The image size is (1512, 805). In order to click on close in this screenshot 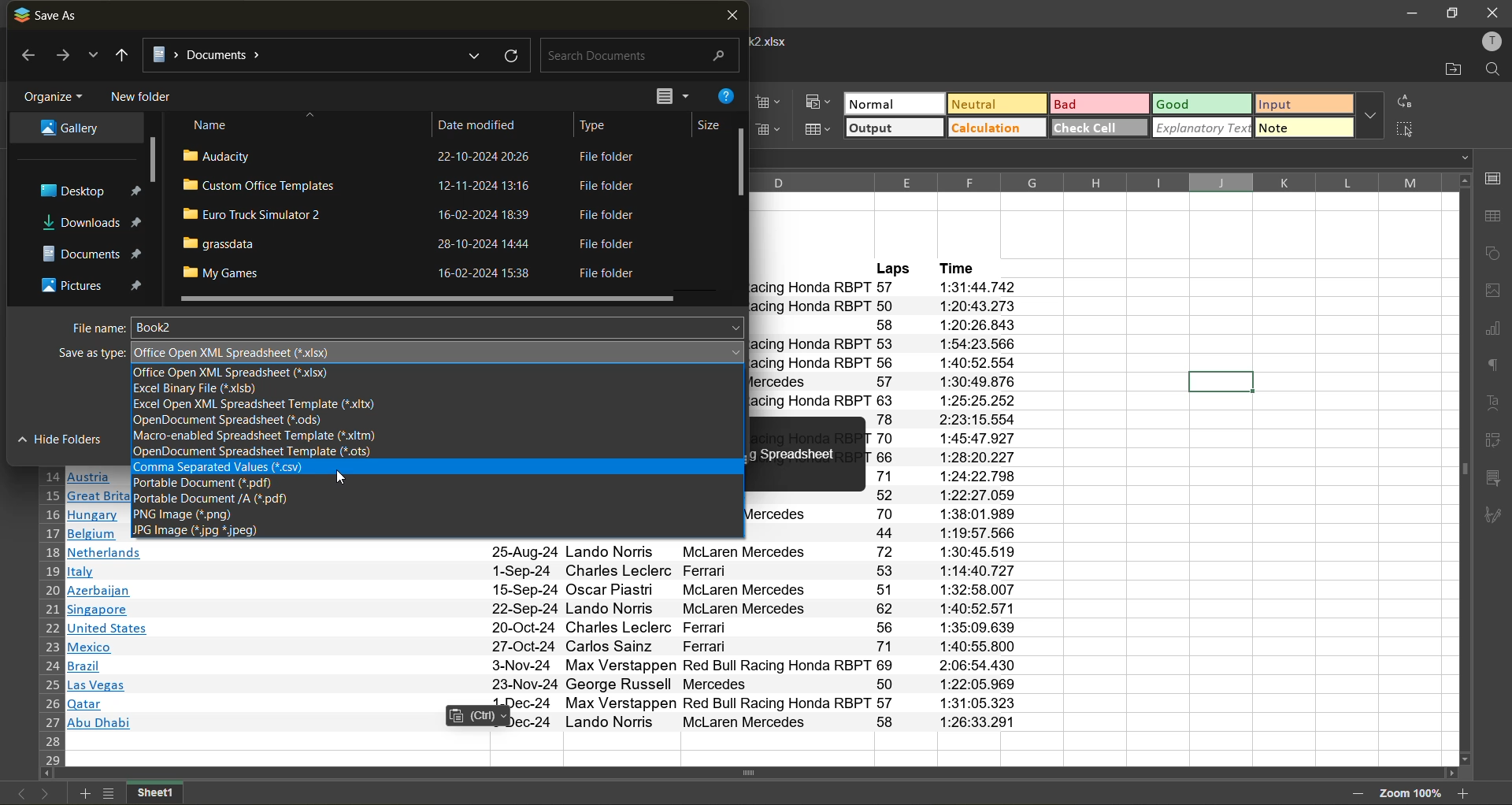, I will do `click(732, 17)`.